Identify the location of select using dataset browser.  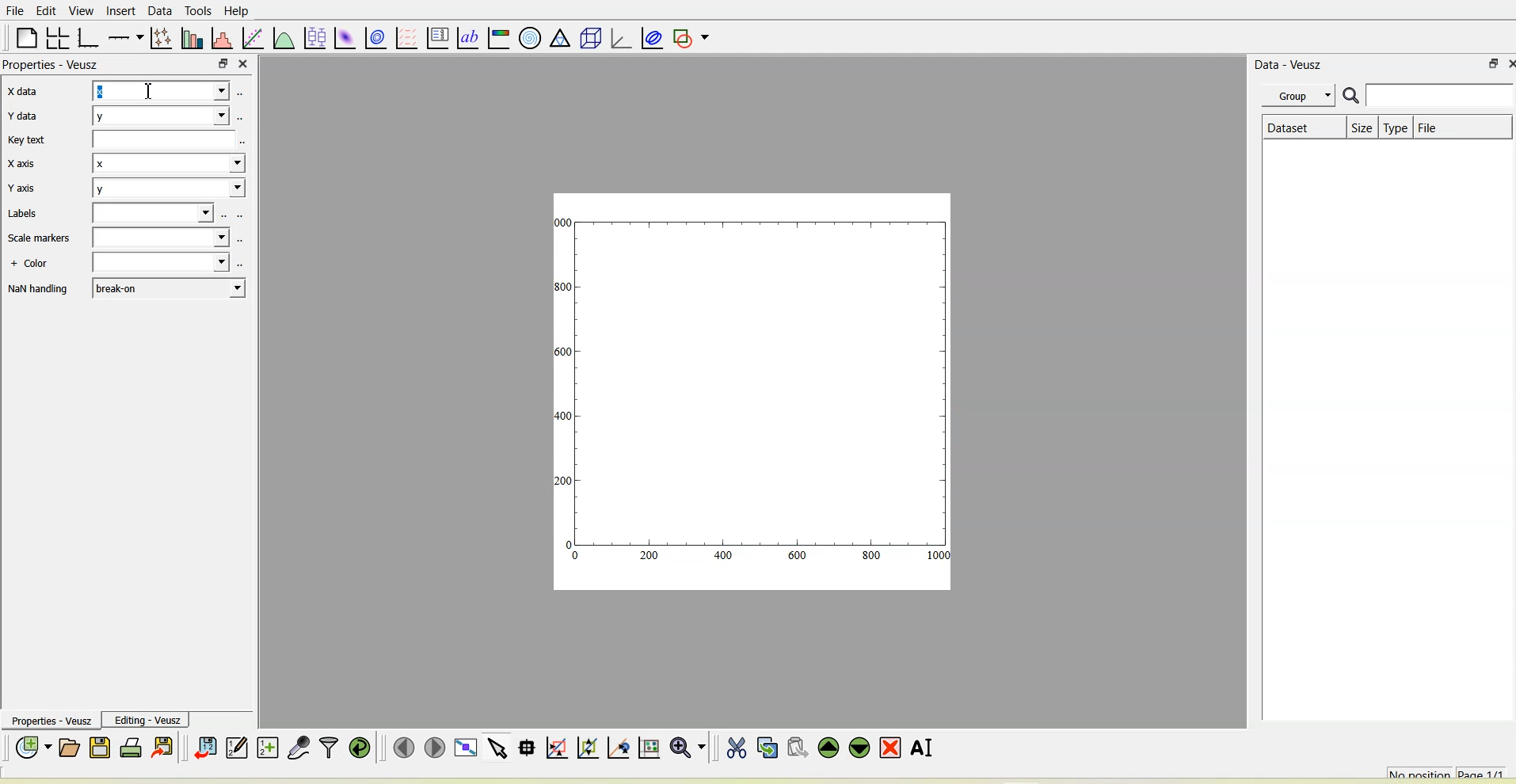
(242, 263).